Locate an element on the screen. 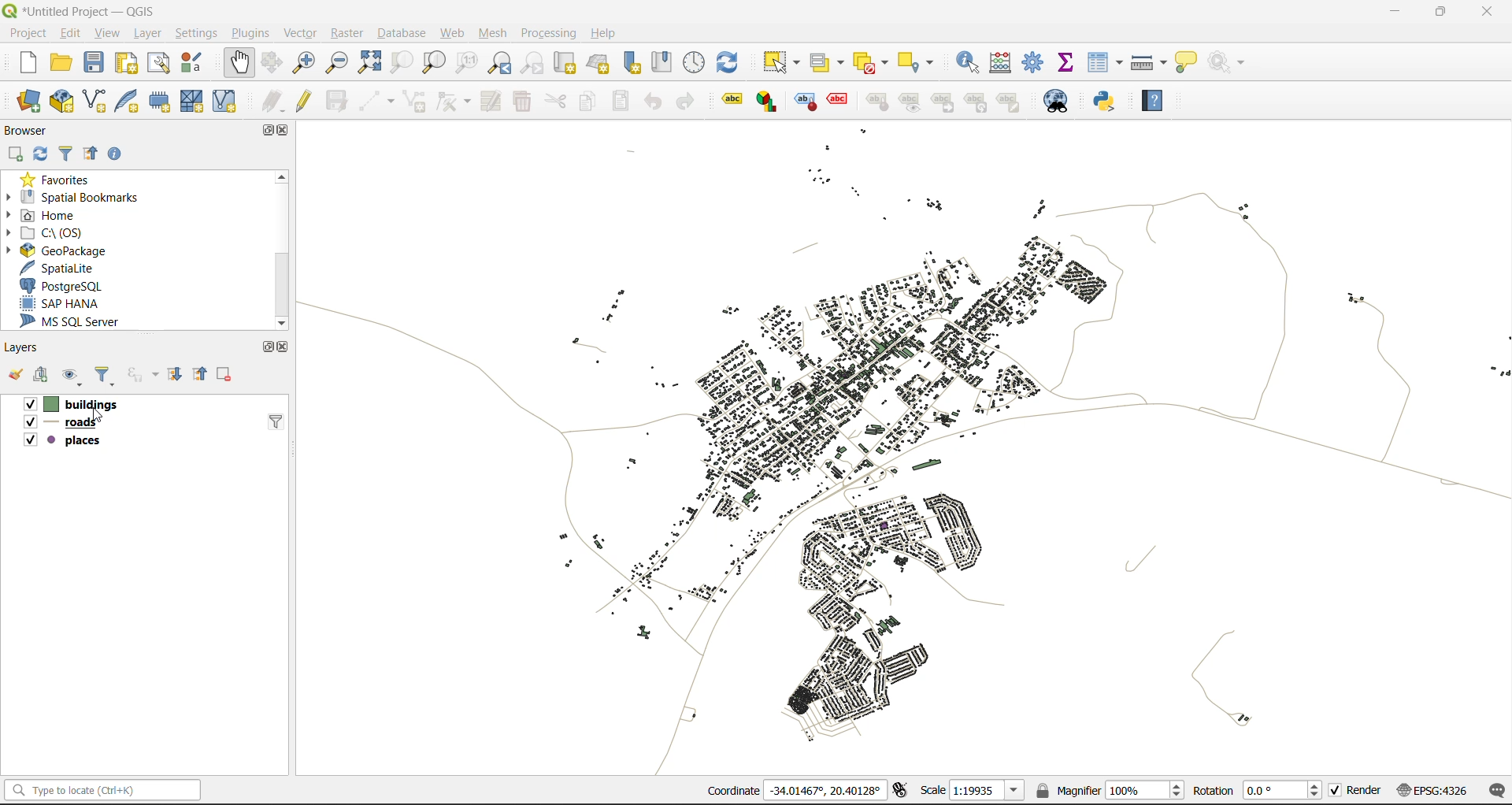 The width and height of the screenshot is (1512, 805). maximize is located at coordinates (1438, 14).